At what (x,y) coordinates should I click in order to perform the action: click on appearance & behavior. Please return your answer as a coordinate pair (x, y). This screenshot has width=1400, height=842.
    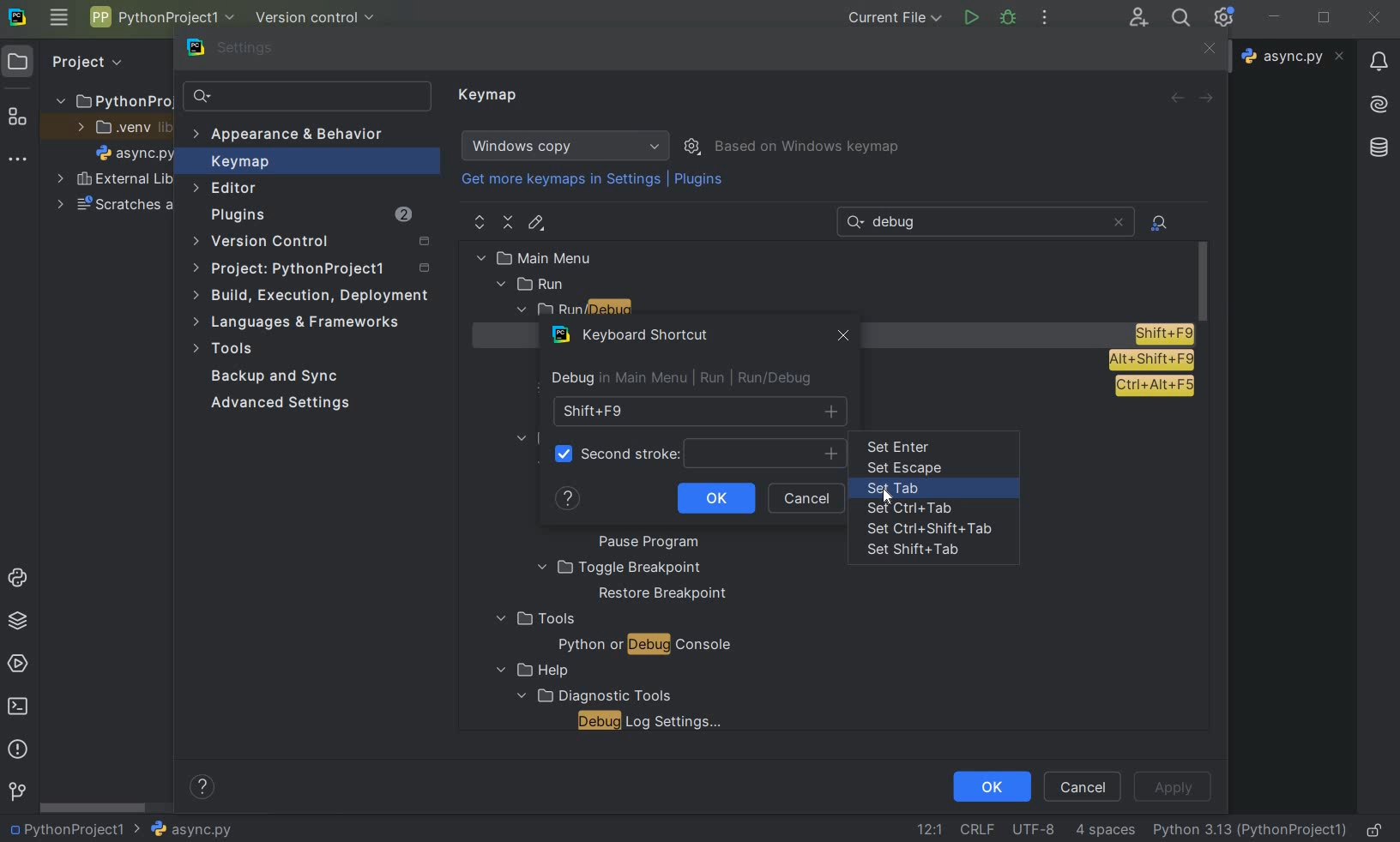
    Looking at the image, I should click on (298, 136).